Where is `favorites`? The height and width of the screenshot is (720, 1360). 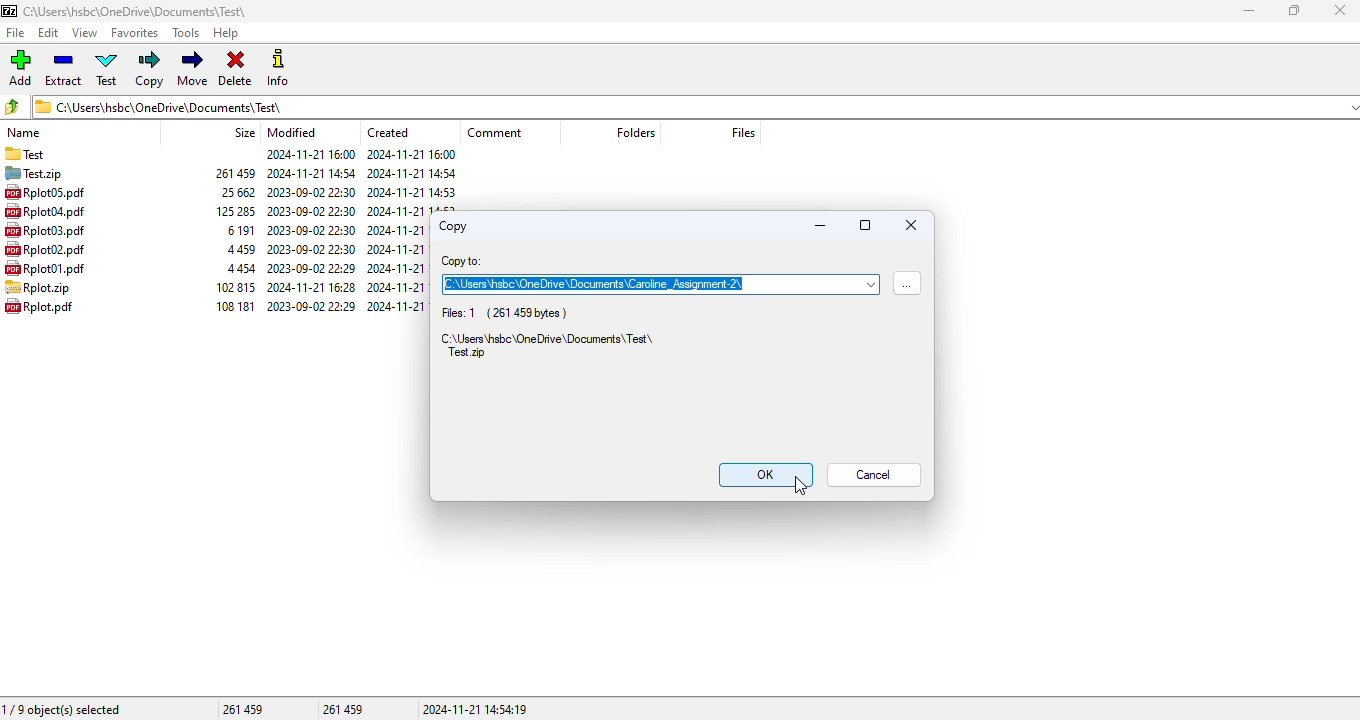
favorites is located at coordinates (135, 33).